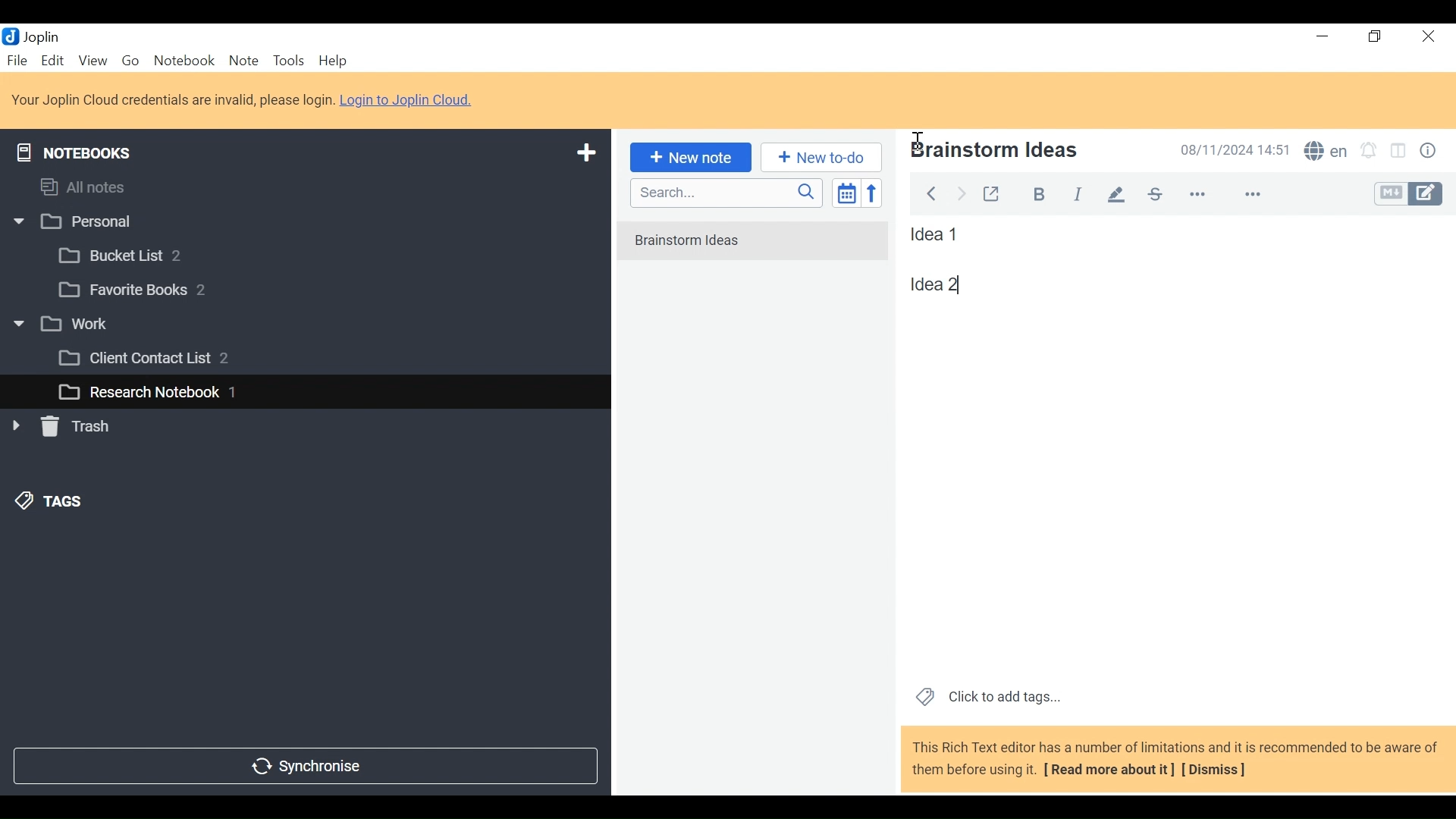  Describe the element at coordinates (724, 193) in the screenshot. I see `Search` at that location.